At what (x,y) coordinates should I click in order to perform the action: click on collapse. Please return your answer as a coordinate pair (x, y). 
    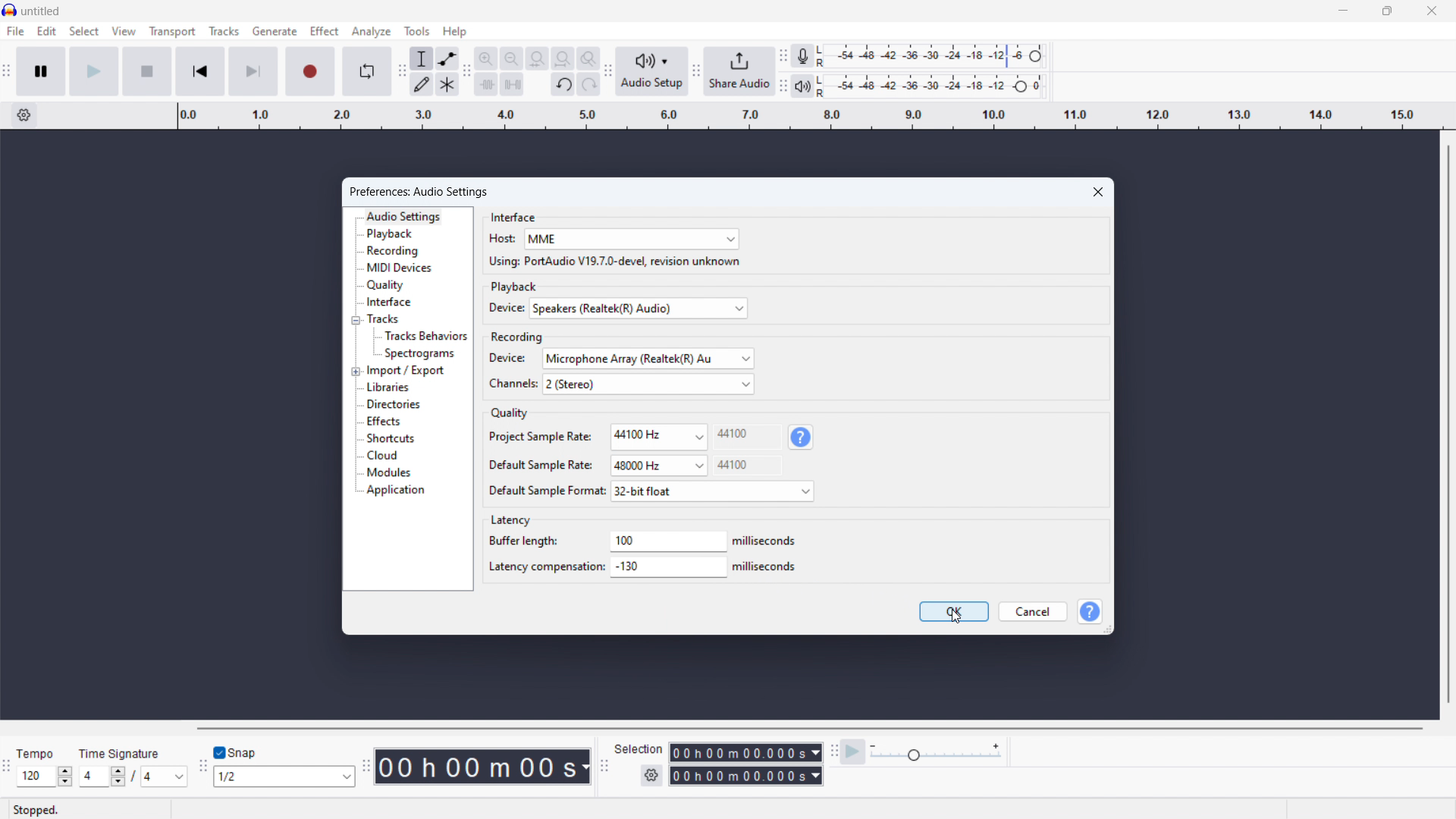
    Looking at the image, I should click on (356, 320).